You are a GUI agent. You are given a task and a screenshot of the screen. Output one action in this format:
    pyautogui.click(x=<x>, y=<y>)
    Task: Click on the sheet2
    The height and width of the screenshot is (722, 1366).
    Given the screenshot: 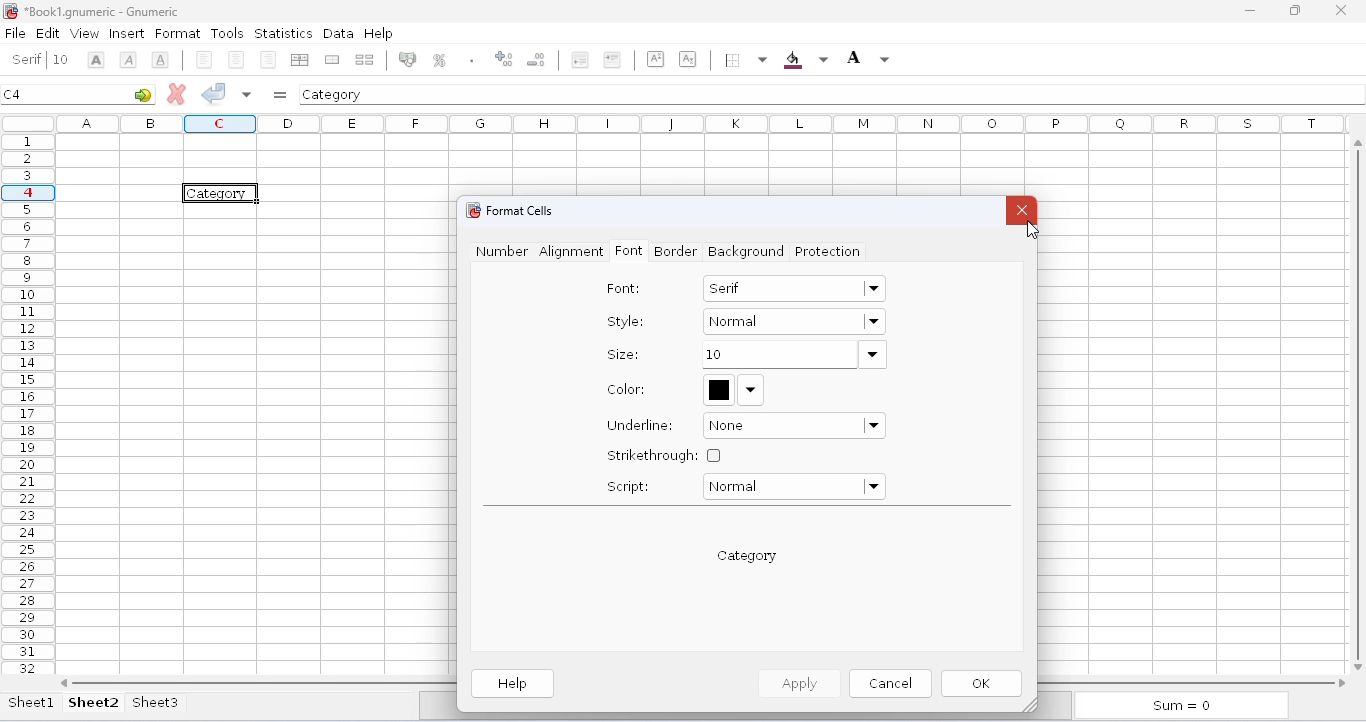 What is the action you would take?
    pyautogui.click(x=94, y=702)
    